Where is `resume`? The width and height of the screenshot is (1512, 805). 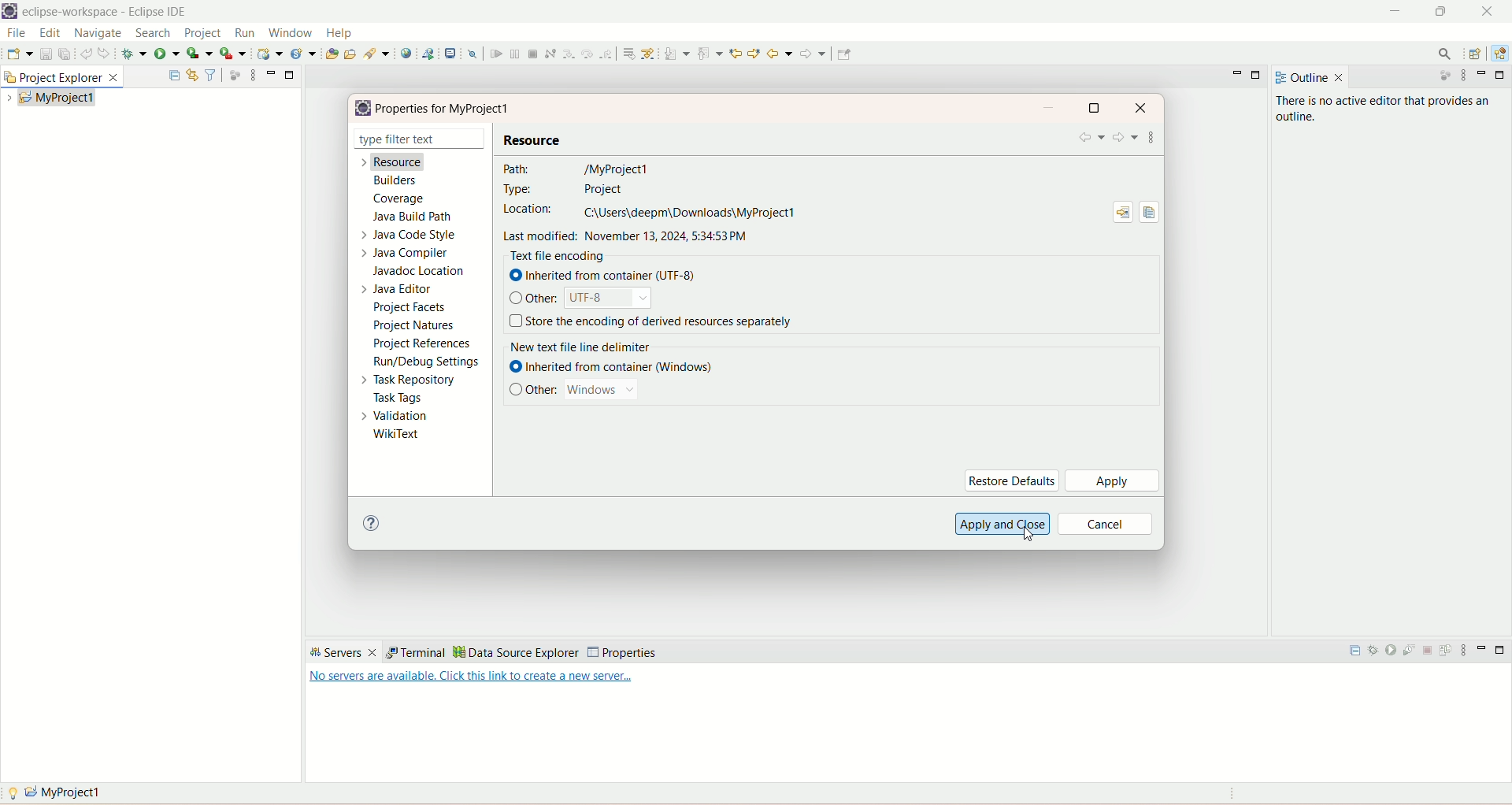
resume is located at coordinates (496, 54).